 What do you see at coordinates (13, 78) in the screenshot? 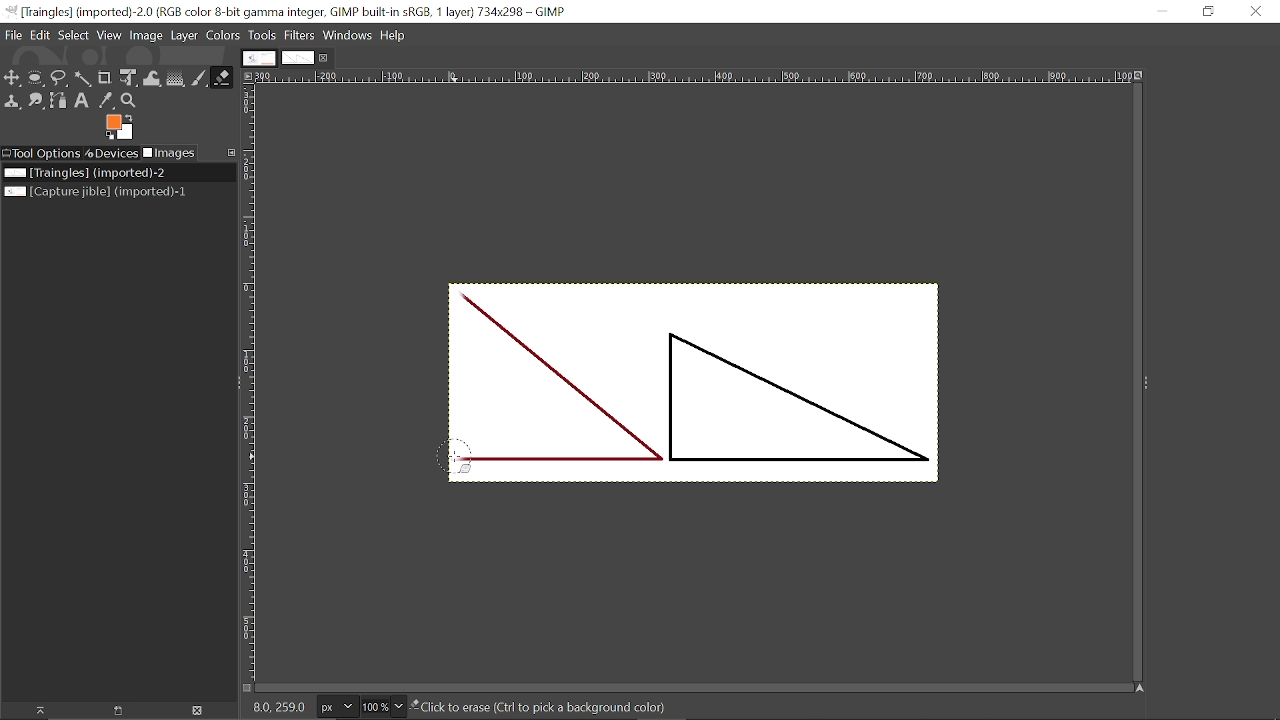
I see `Move tool` at bounding box center [13, 78].